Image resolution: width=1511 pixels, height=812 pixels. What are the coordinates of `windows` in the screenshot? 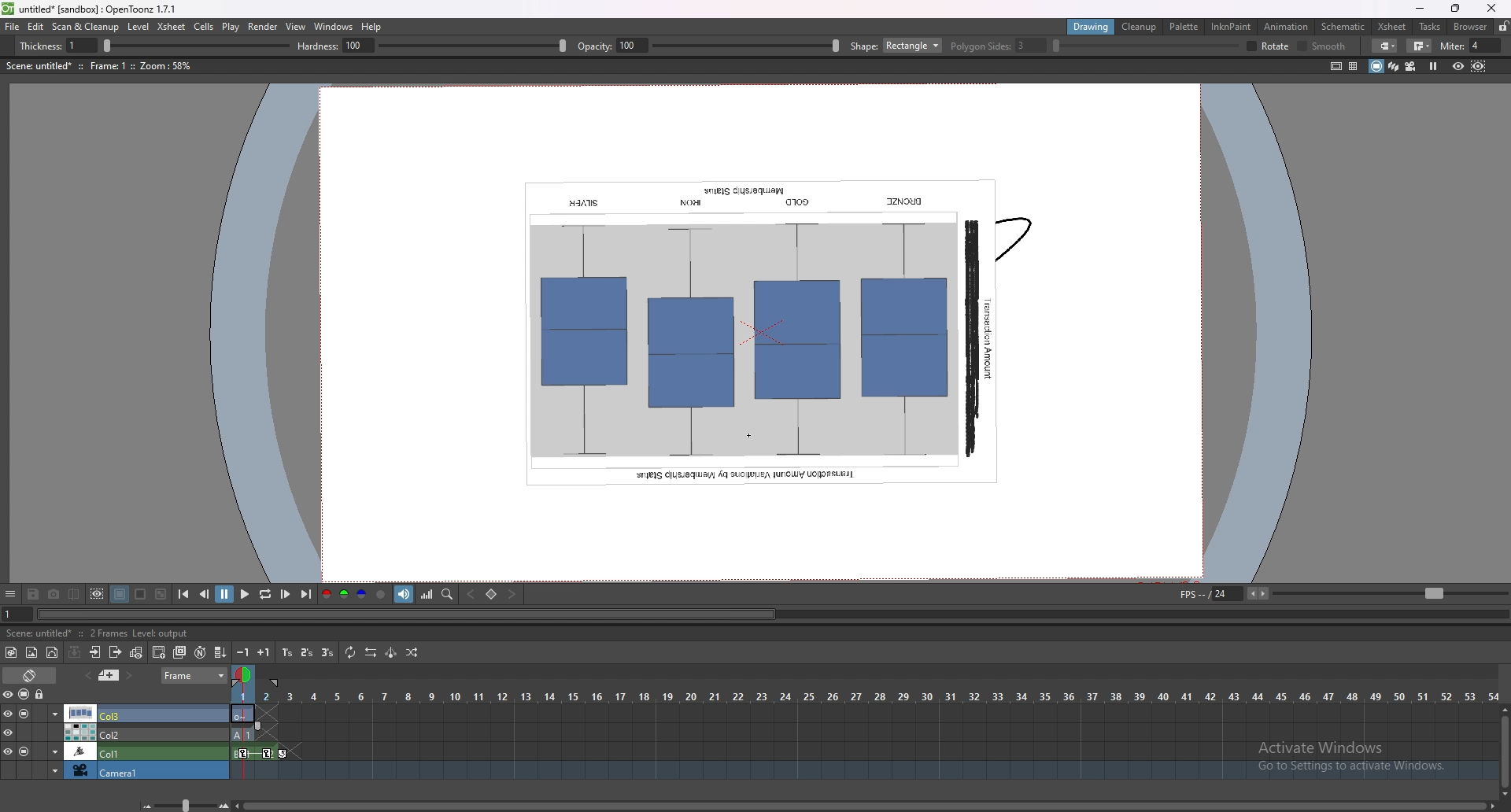 It's located at (333, 27).